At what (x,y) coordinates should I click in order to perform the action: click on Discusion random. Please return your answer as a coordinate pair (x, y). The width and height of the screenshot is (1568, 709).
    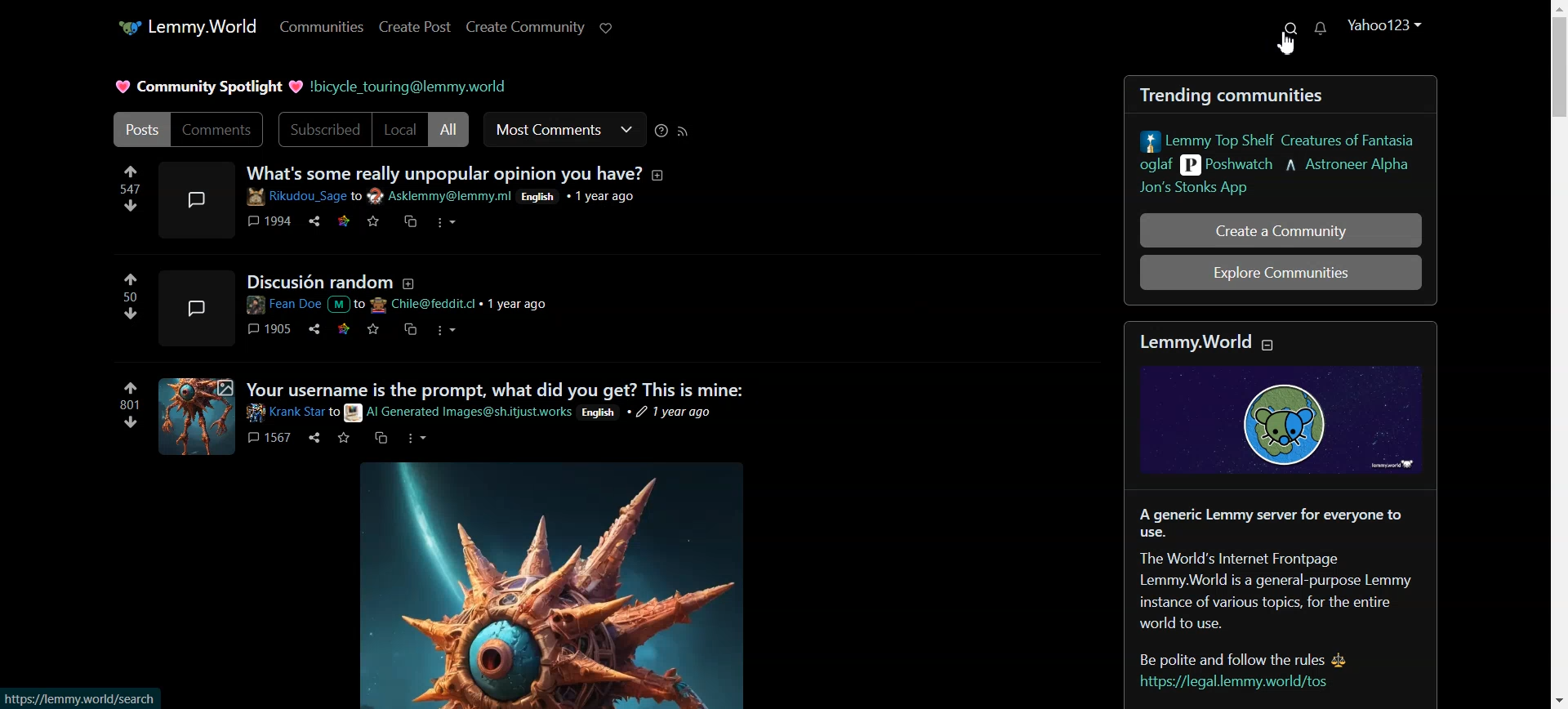
    Looking at the image, I should click on (336, 281).